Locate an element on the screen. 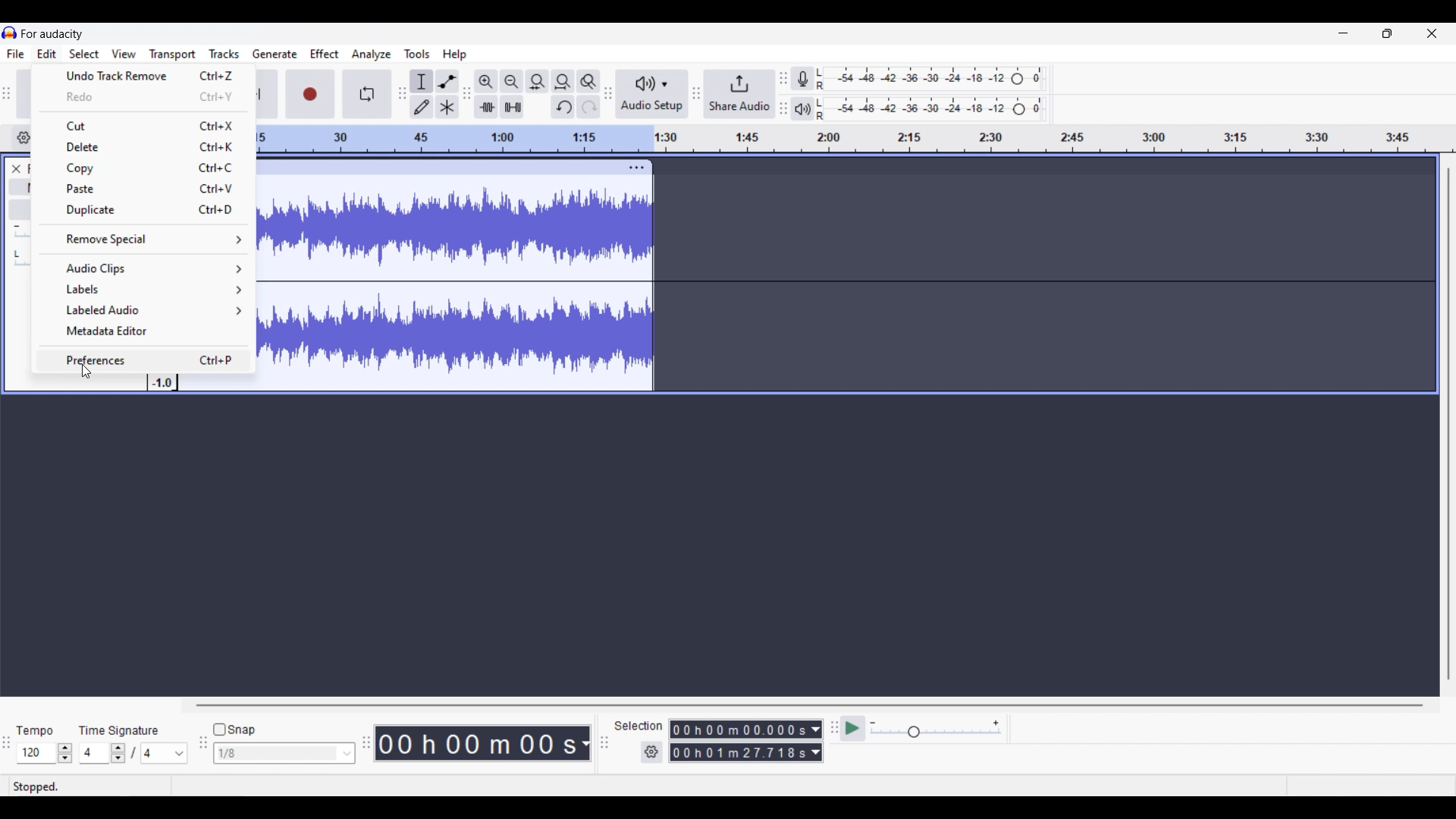  Duplicate is located at coordinates (144, 211).